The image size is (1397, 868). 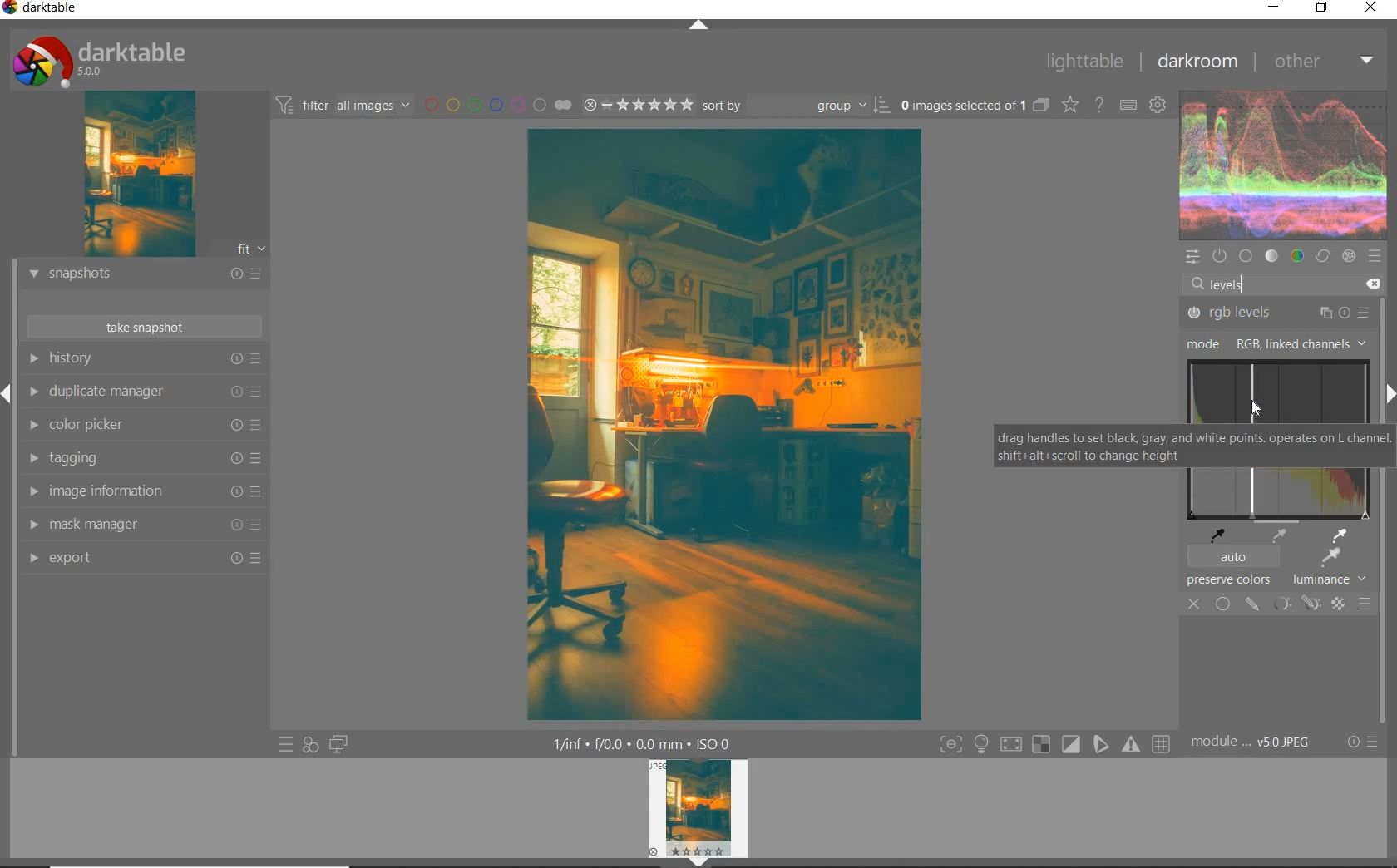 What do you see at coordinates (144, 276) in the screenshot?
I see `snapshots` at bounding box center [144, 276].